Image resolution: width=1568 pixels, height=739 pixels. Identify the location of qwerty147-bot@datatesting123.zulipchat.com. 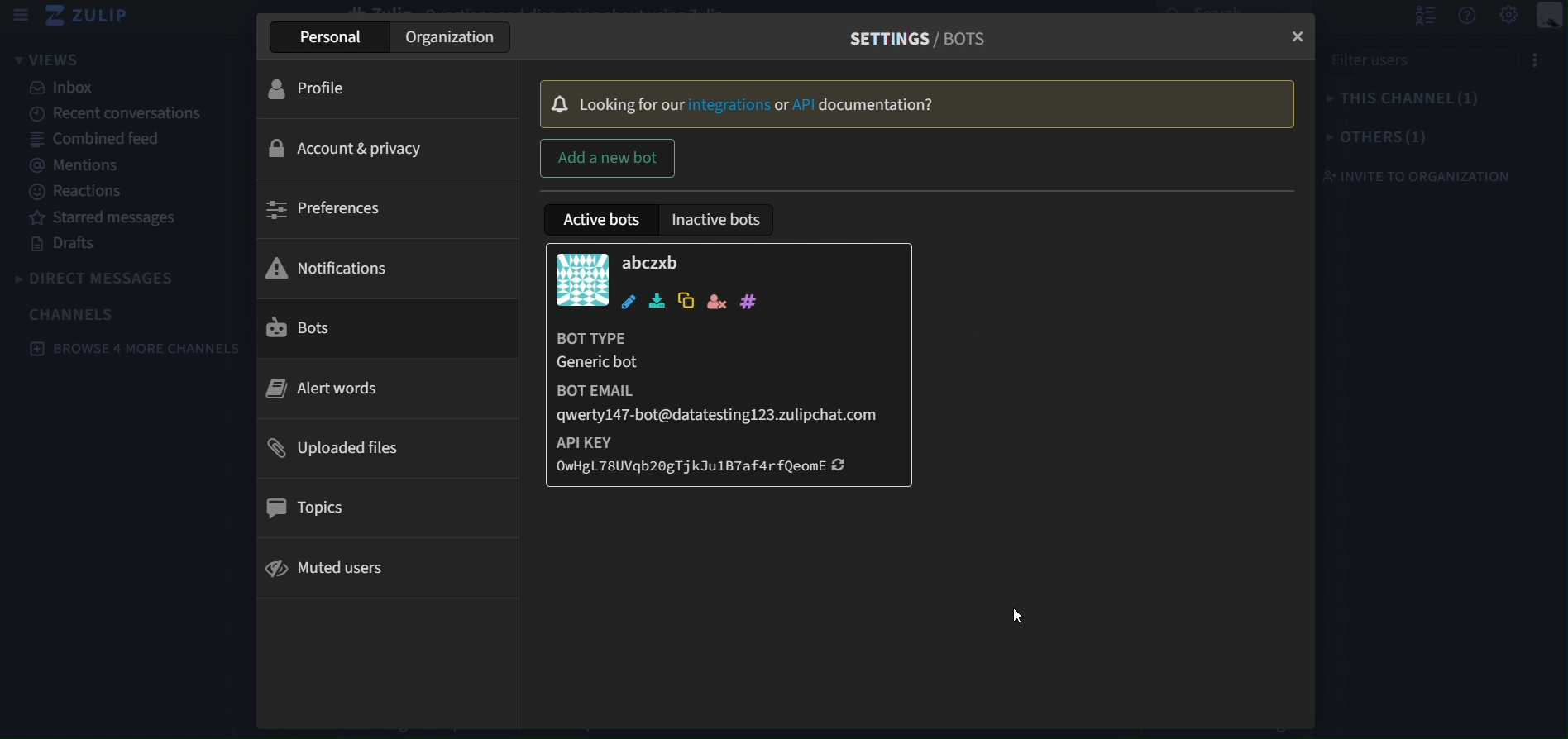
(717, 416).